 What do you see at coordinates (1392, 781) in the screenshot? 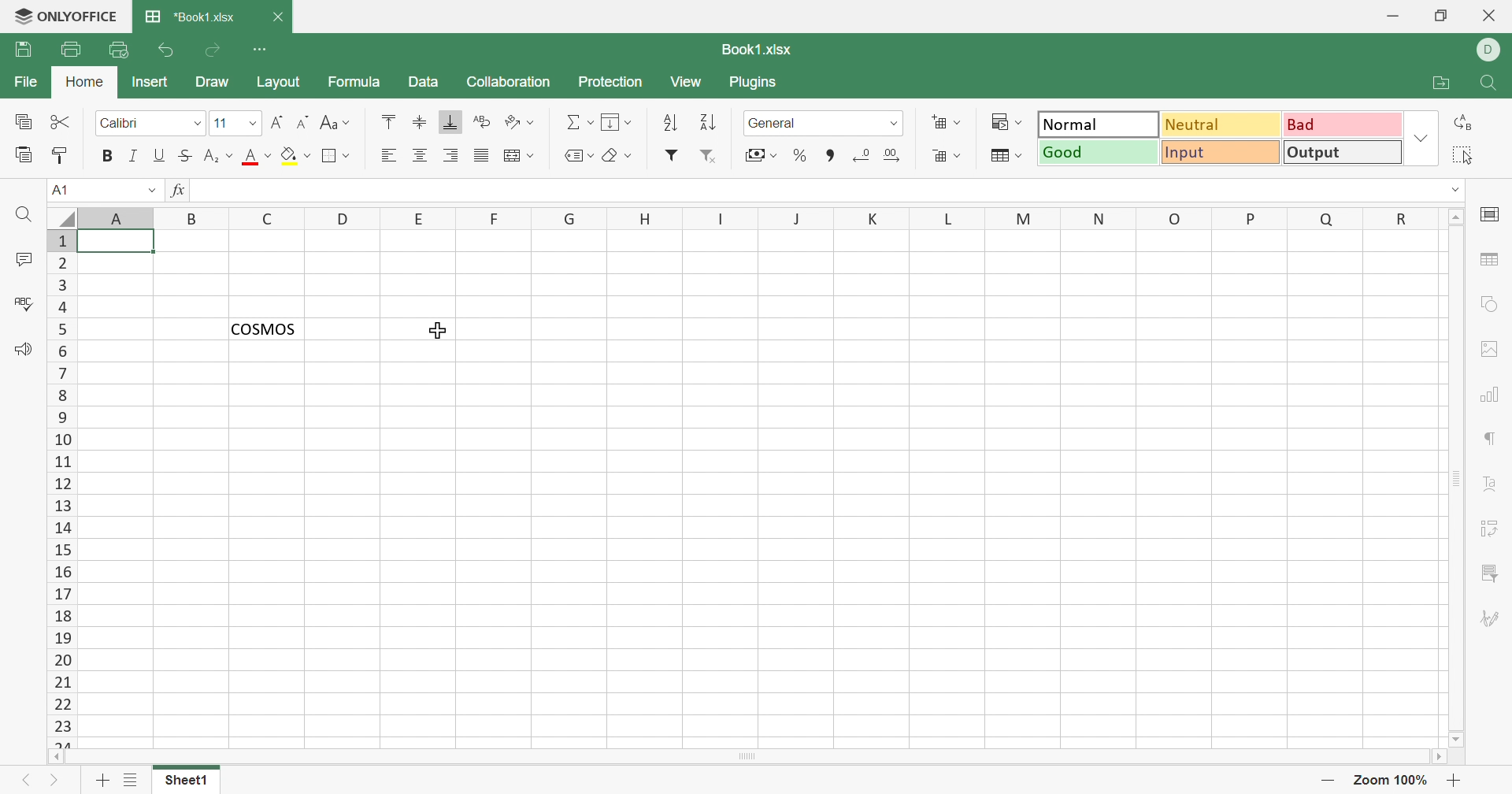
I see `Zoom 100%` at bounding box center [1392, 781].